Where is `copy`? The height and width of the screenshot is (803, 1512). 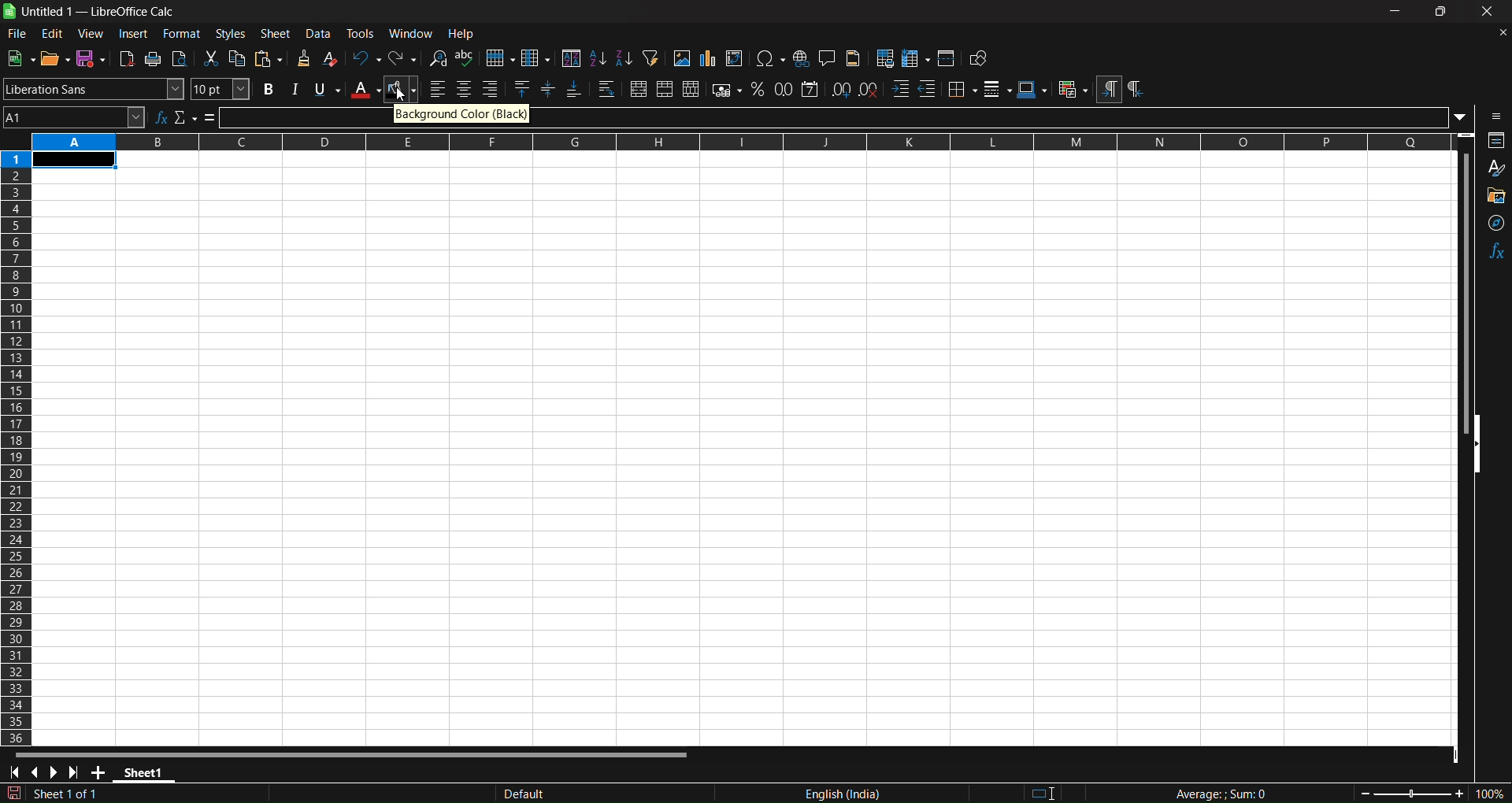
copy is located at coordinates (238, 57).